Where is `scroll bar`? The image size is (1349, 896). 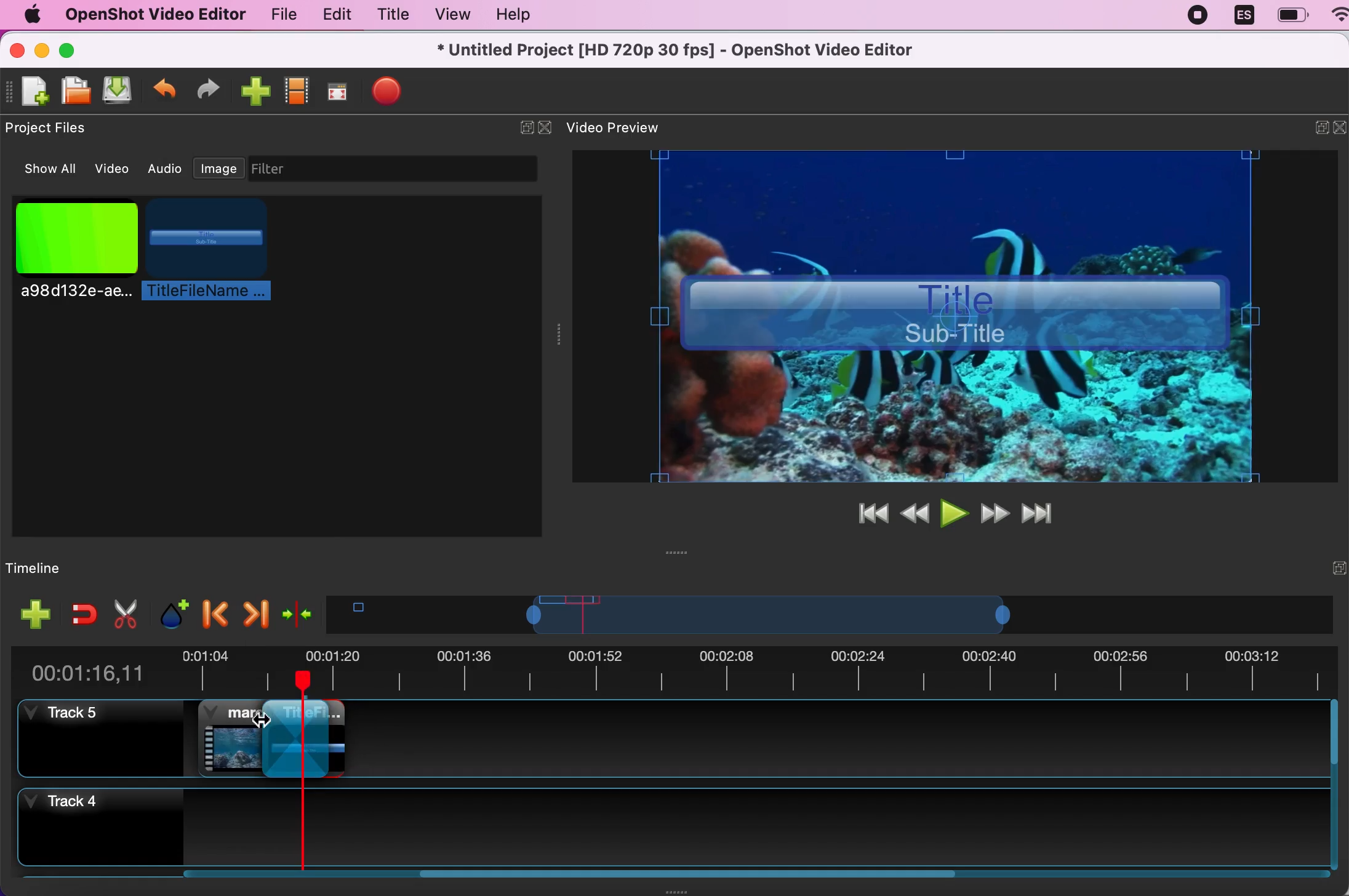
scroll bar is located at coordinates (570, 881).